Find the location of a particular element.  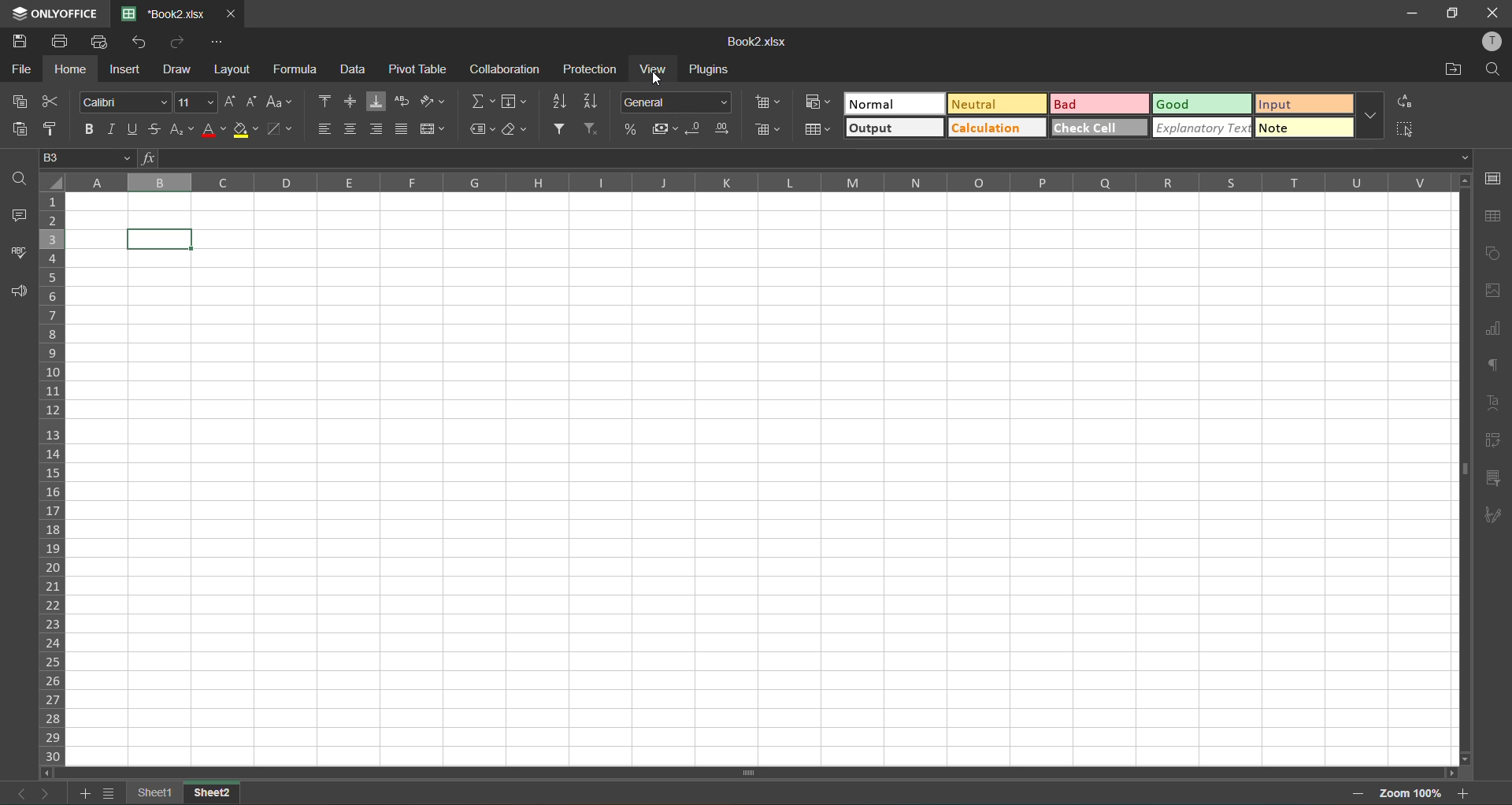

change case is located at coordinates (278, 105).